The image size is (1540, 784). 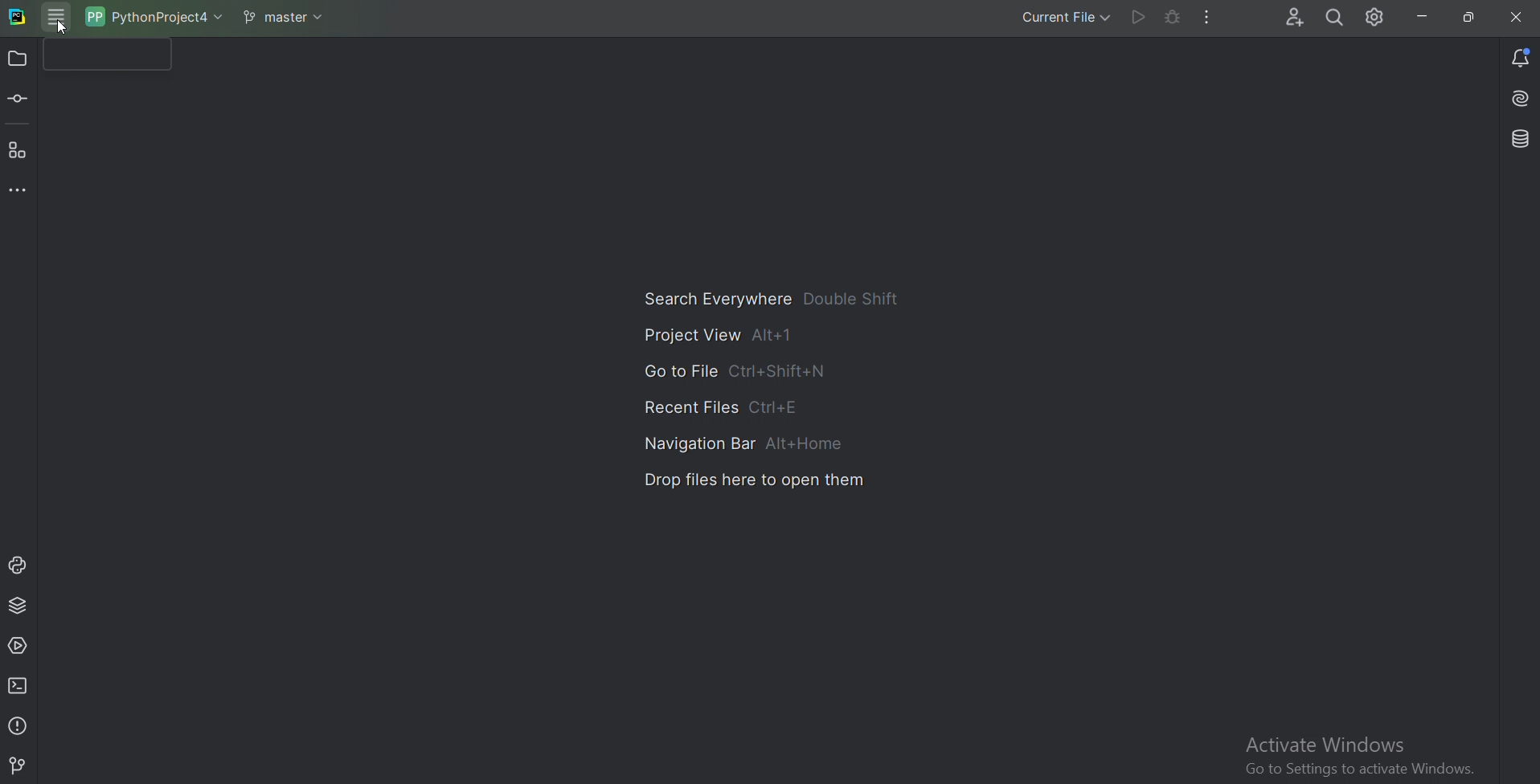 I want to click on Project name, so click(x=155, y=16).